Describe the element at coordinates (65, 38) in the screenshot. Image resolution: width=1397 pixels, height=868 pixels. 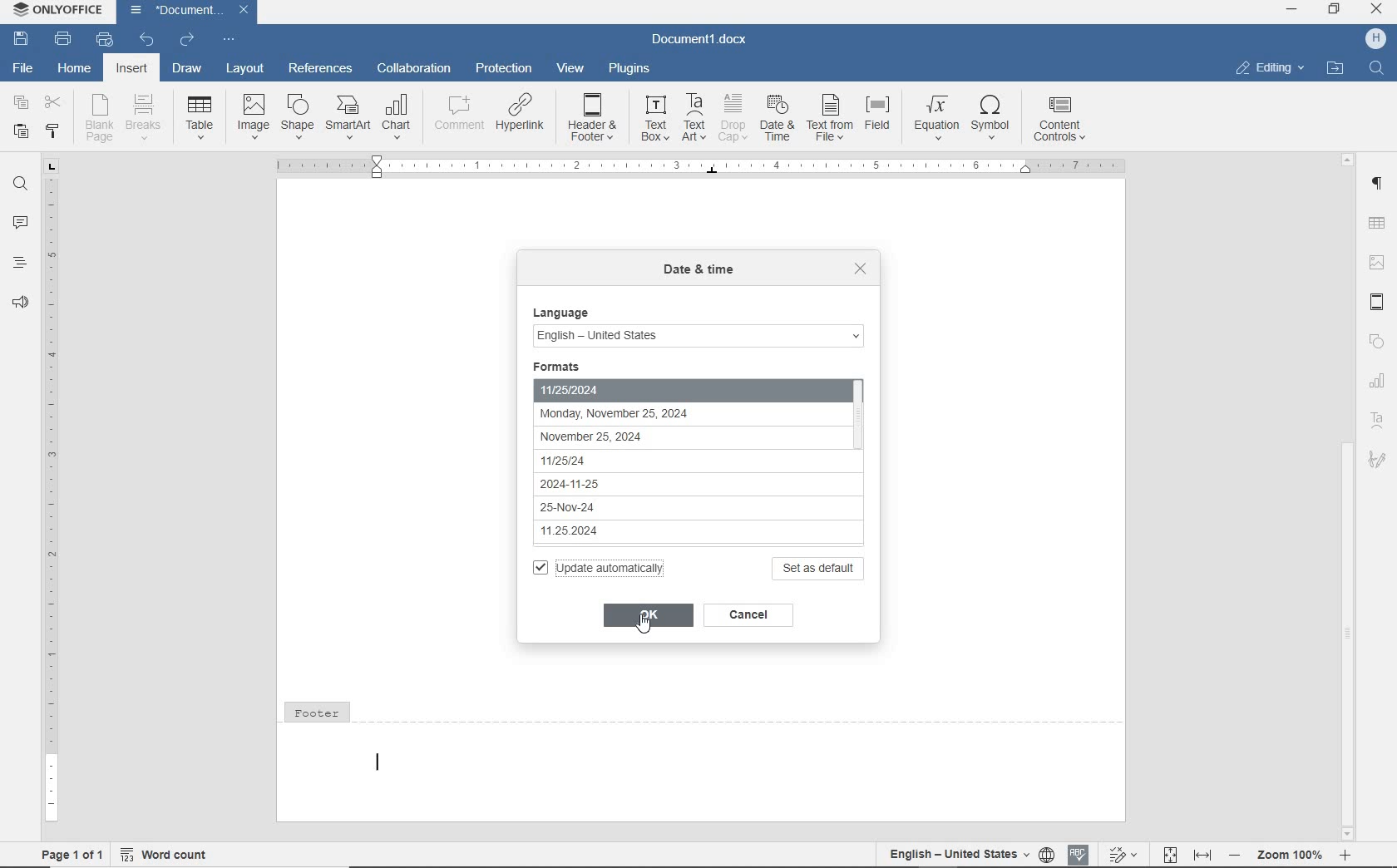
I see `print file` at that location.